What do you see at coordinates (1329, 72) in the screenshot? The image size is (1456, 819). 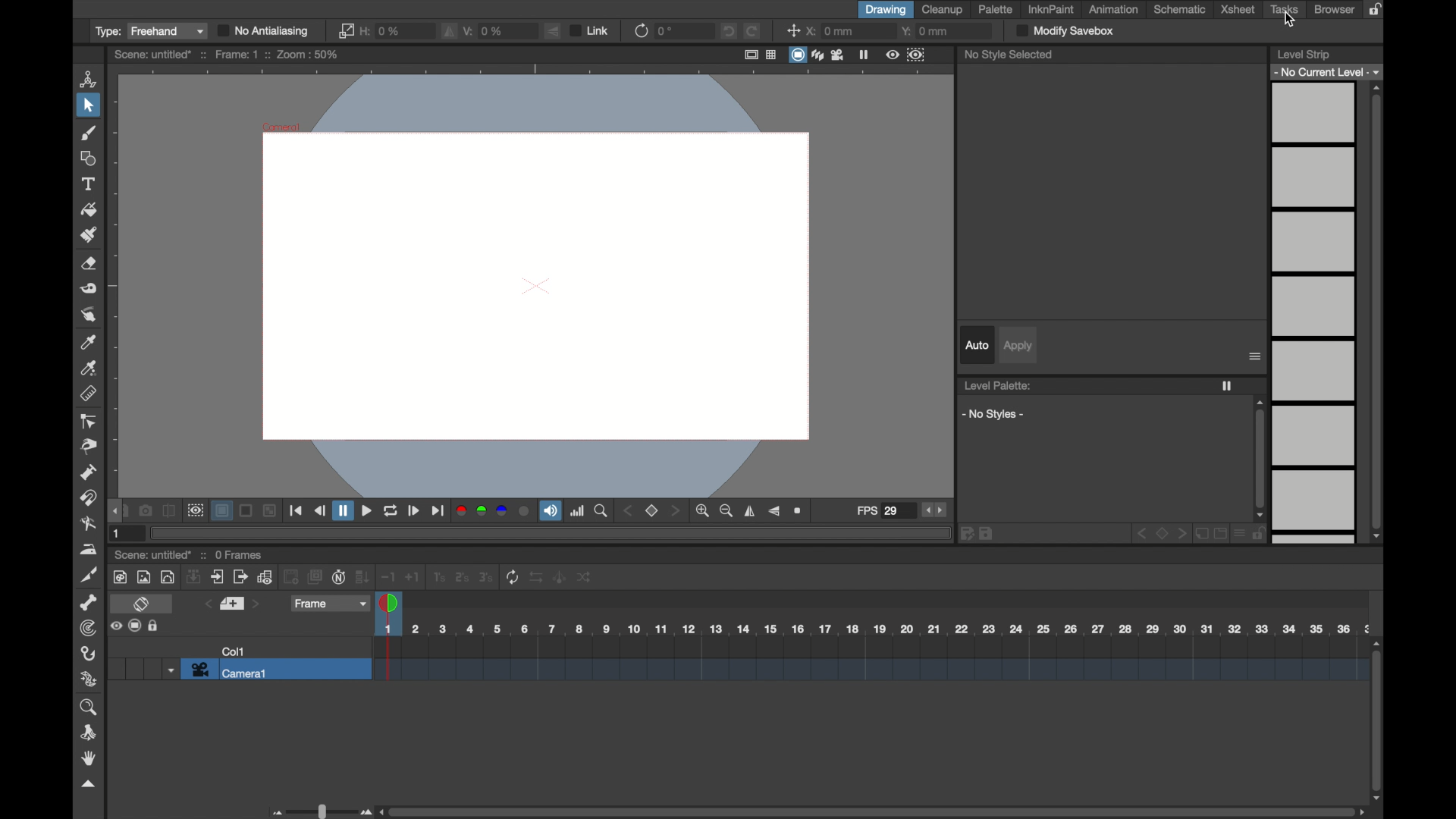 I see `no current level` at bounding box center [1329, 72].